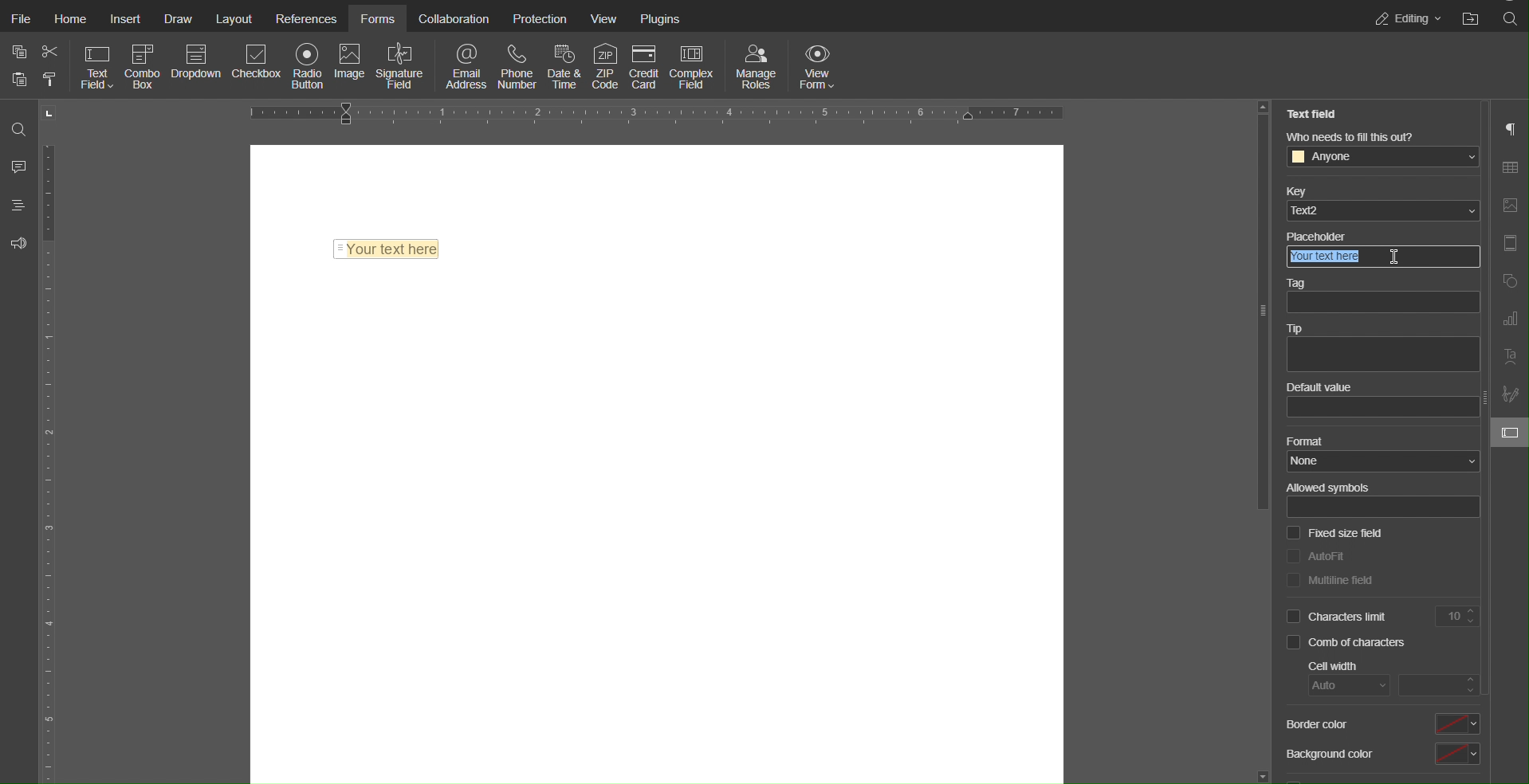 This screenshot has height=784, width=1529. What do you see at coordinates (1314, 113) in the screenshot?
I see `Text Field` at bounding box center [1314, 113].